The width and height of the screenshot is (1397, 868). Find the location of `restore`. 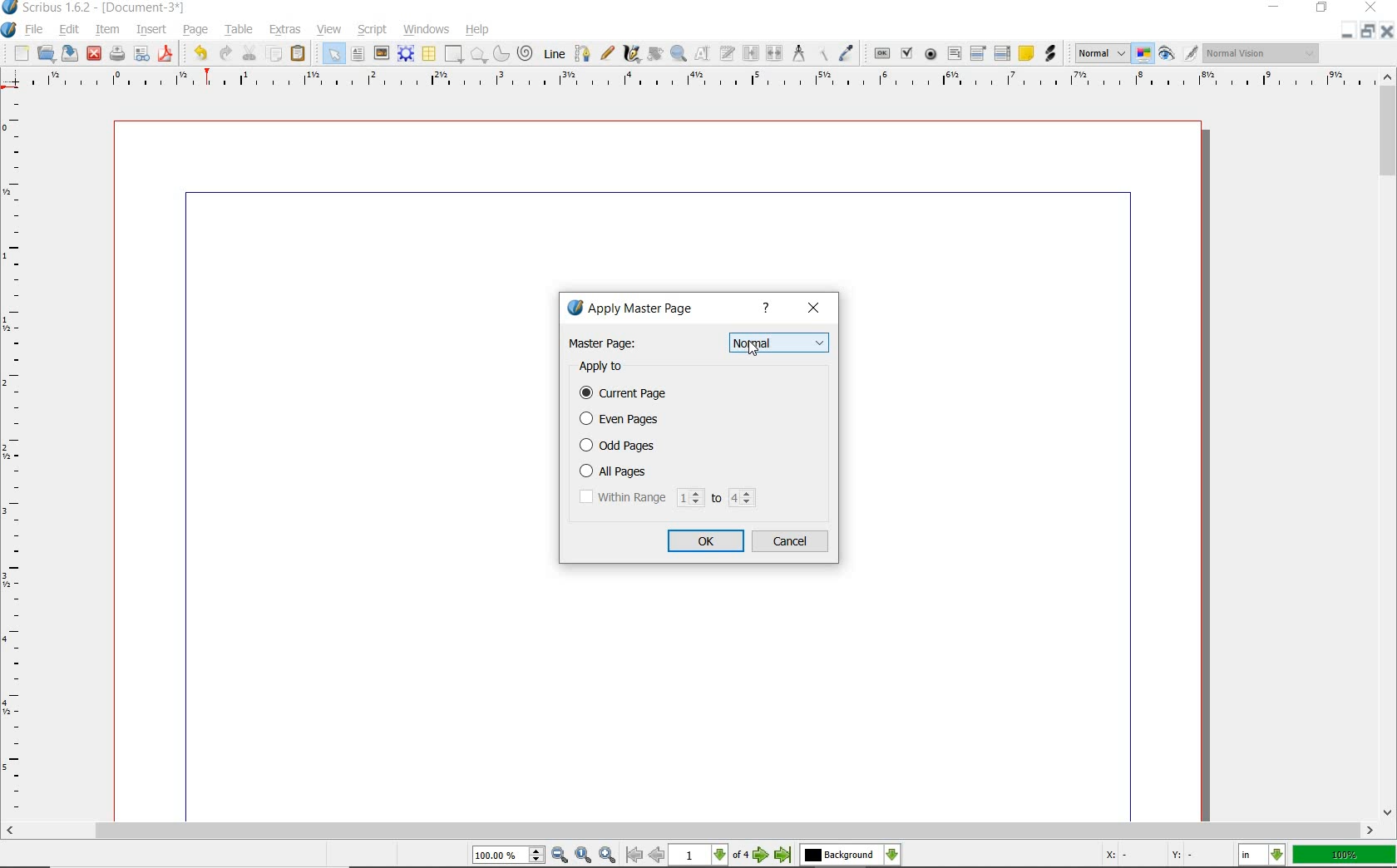

restore is located at coordinates (1321, 10).